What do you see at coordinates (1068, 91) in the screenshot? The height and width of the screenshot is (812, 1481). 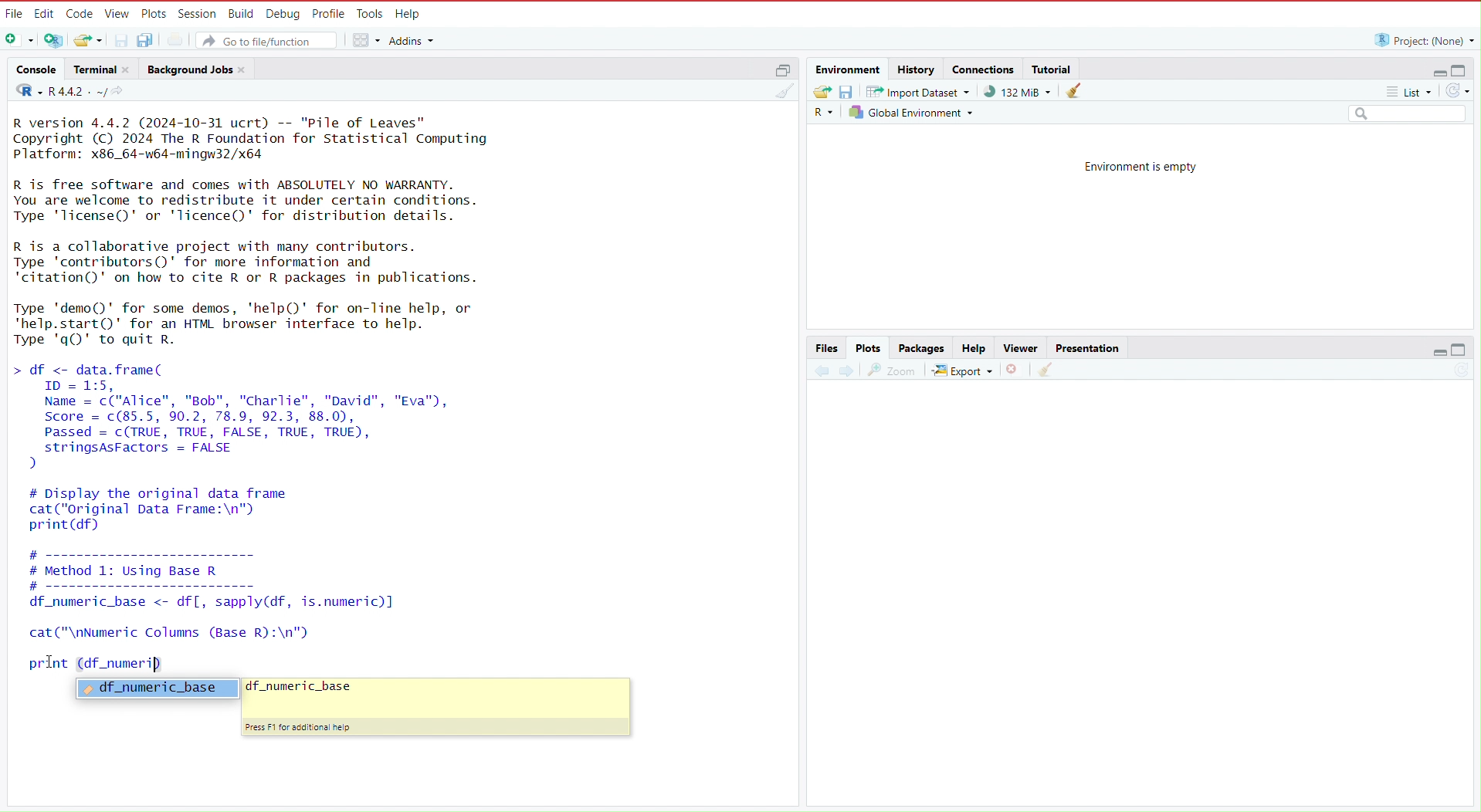 I see `clear objects from the workspace` at bounding box center [1068, 91].